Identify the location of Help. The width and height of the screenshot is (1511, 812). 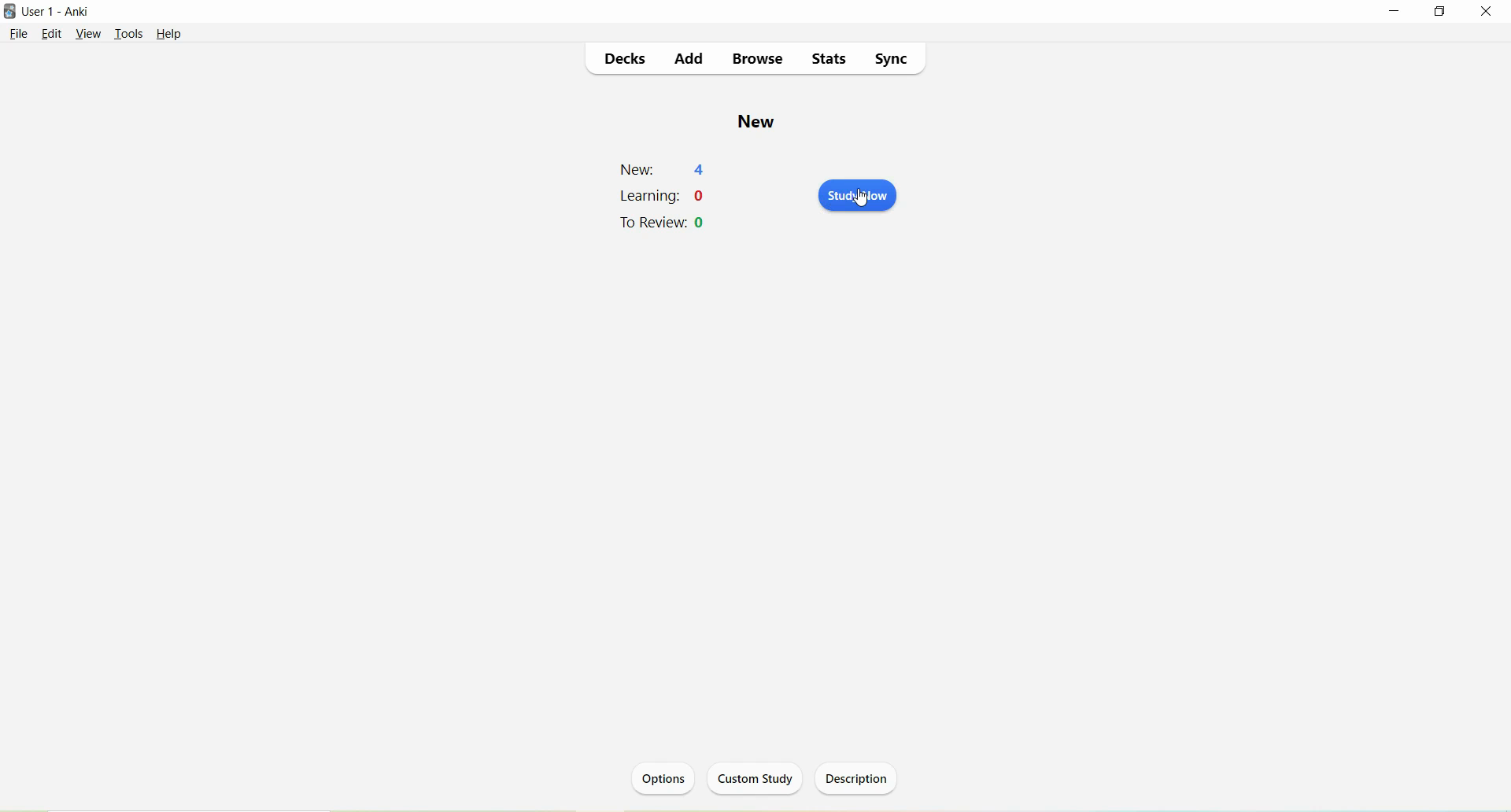
(170, 35).